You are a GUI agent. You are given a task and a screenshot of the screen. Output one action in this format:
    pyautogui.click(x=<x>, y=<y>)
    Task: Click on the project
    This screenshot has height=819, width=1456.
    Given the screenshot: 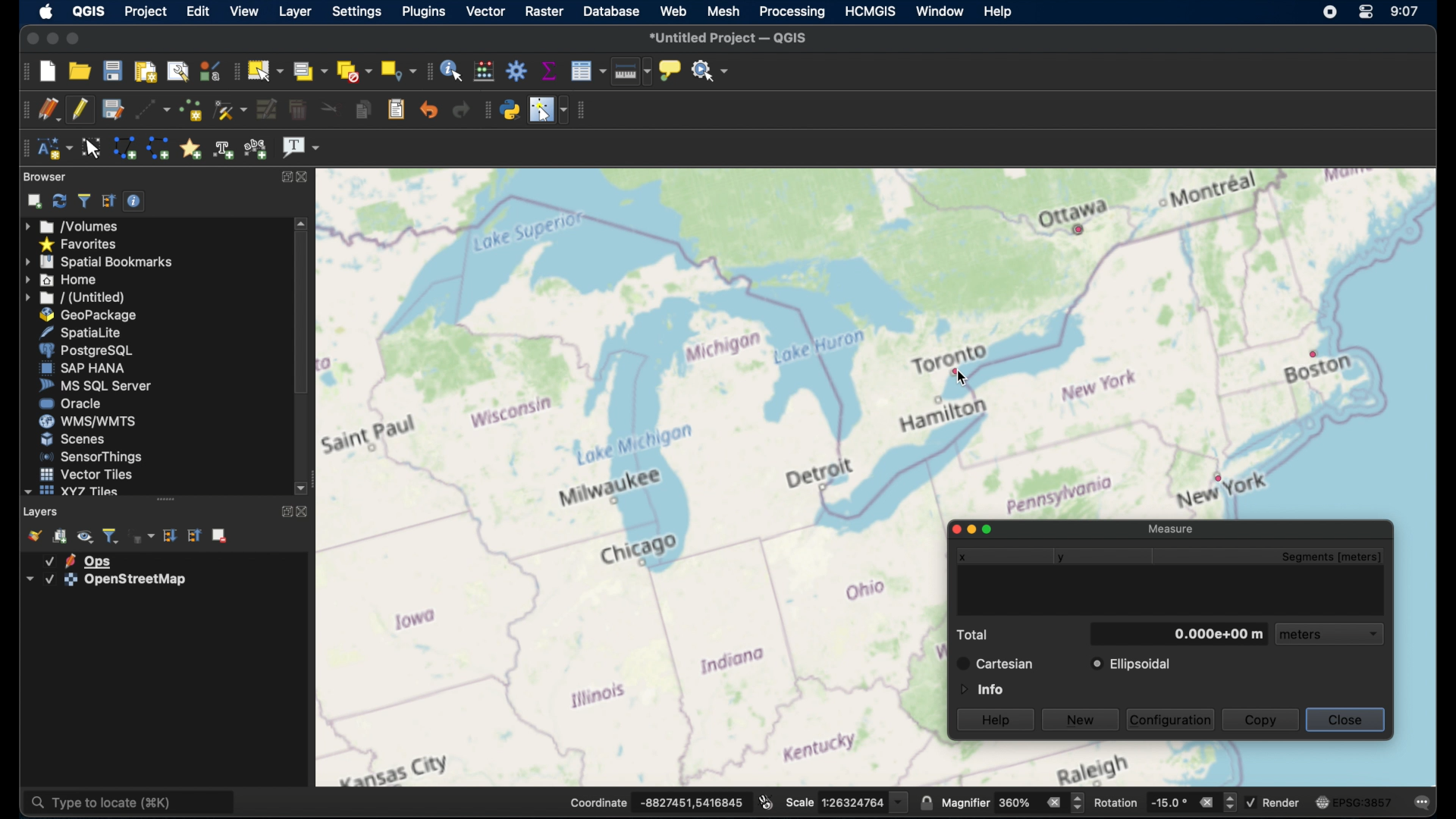 What is the action you would take?
    pyautogui.click(x=146, y=11)
    